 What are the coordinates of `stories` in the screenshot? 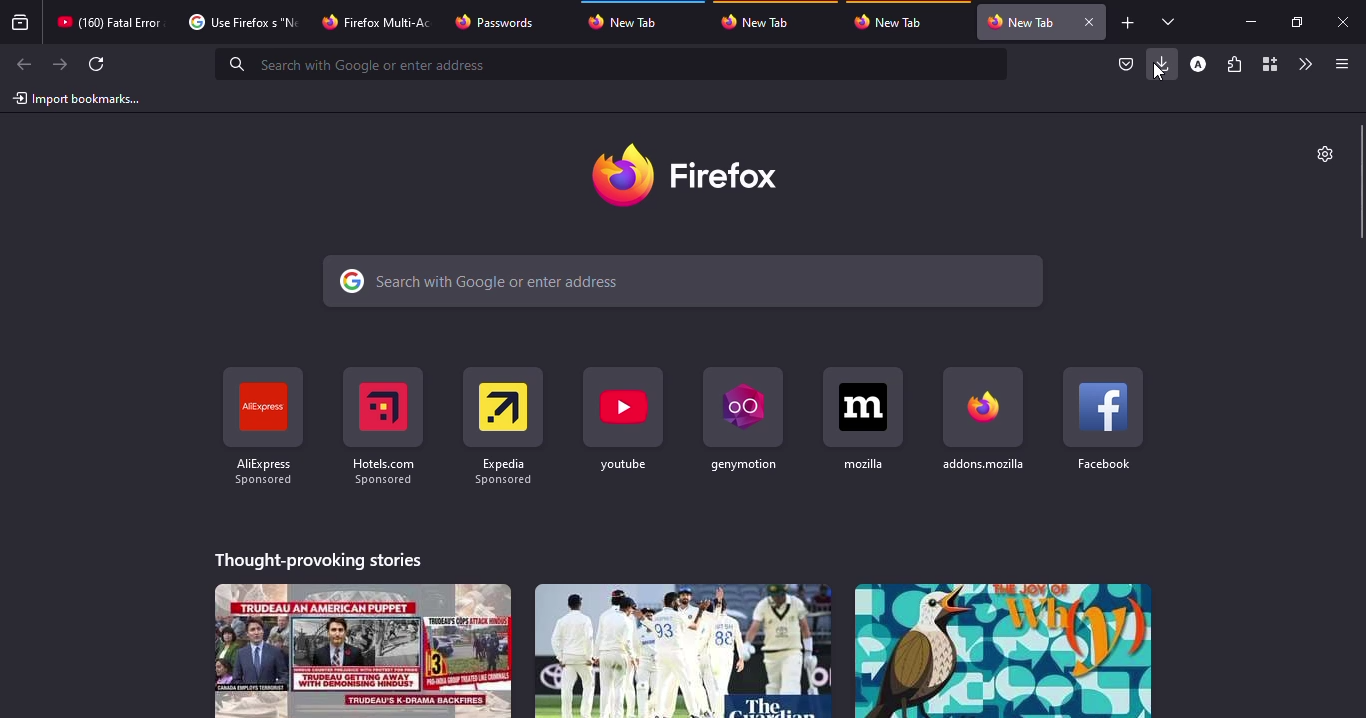 It's located at (681, 650).